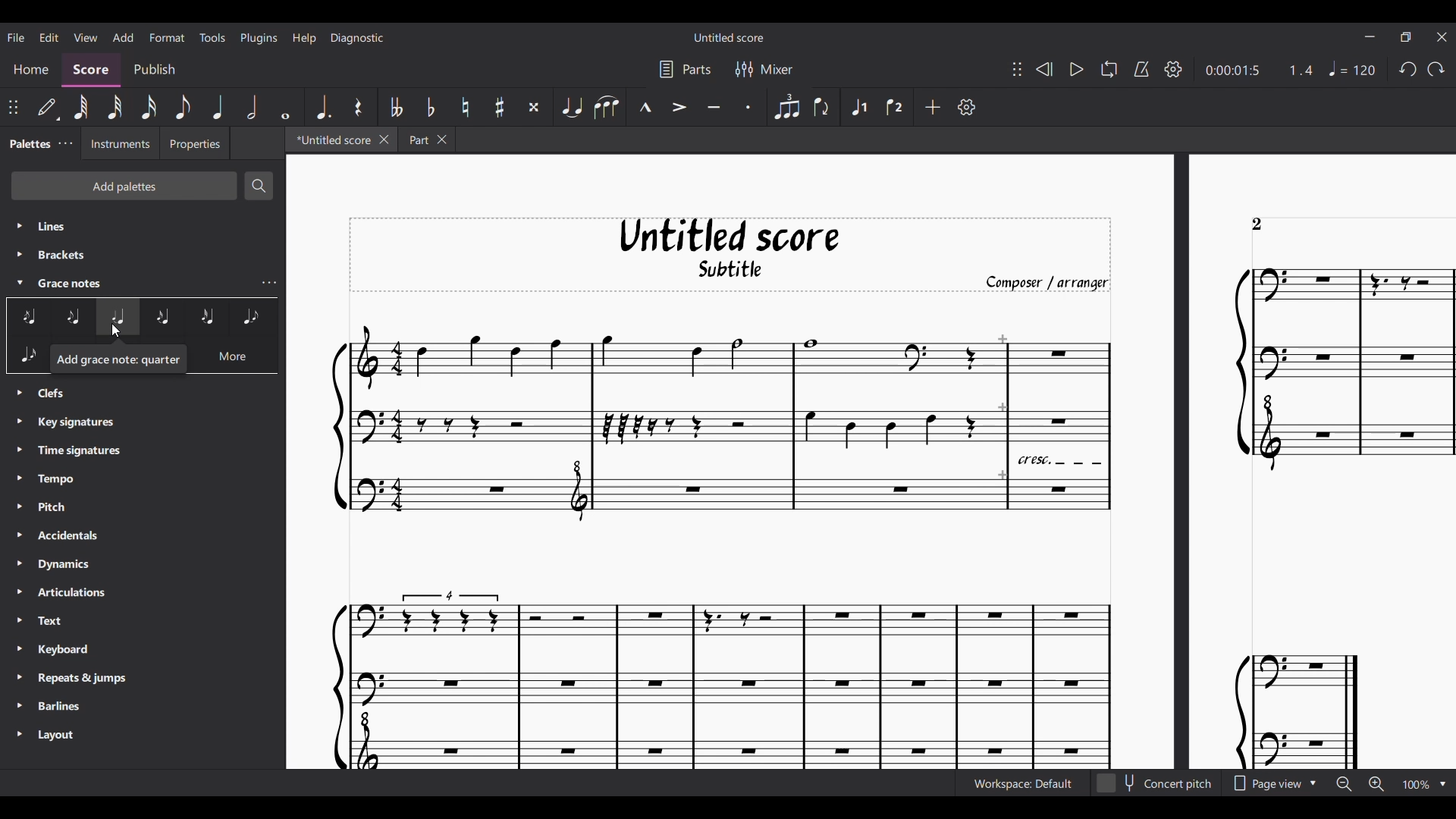  I want to click on Page number, so click(1257, 224).